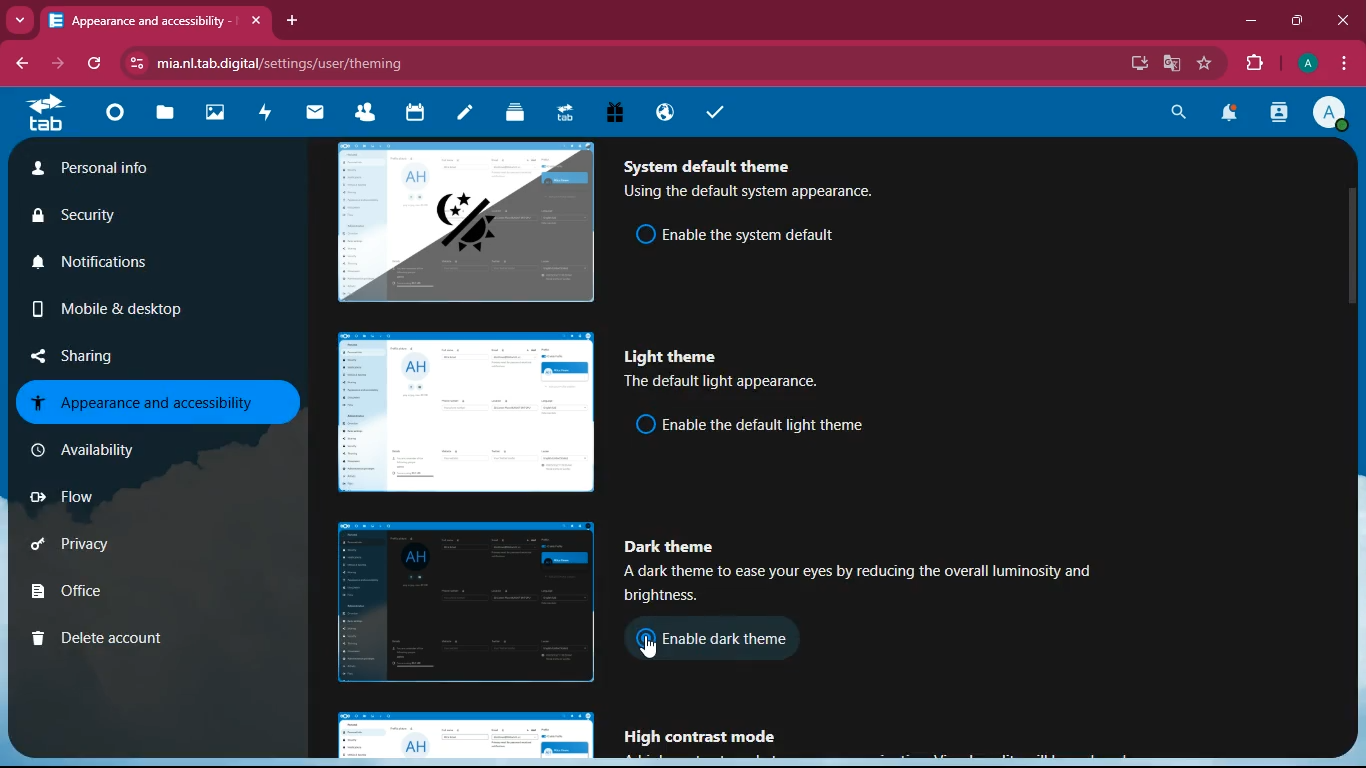  I want to click on off, so click(645, 424).